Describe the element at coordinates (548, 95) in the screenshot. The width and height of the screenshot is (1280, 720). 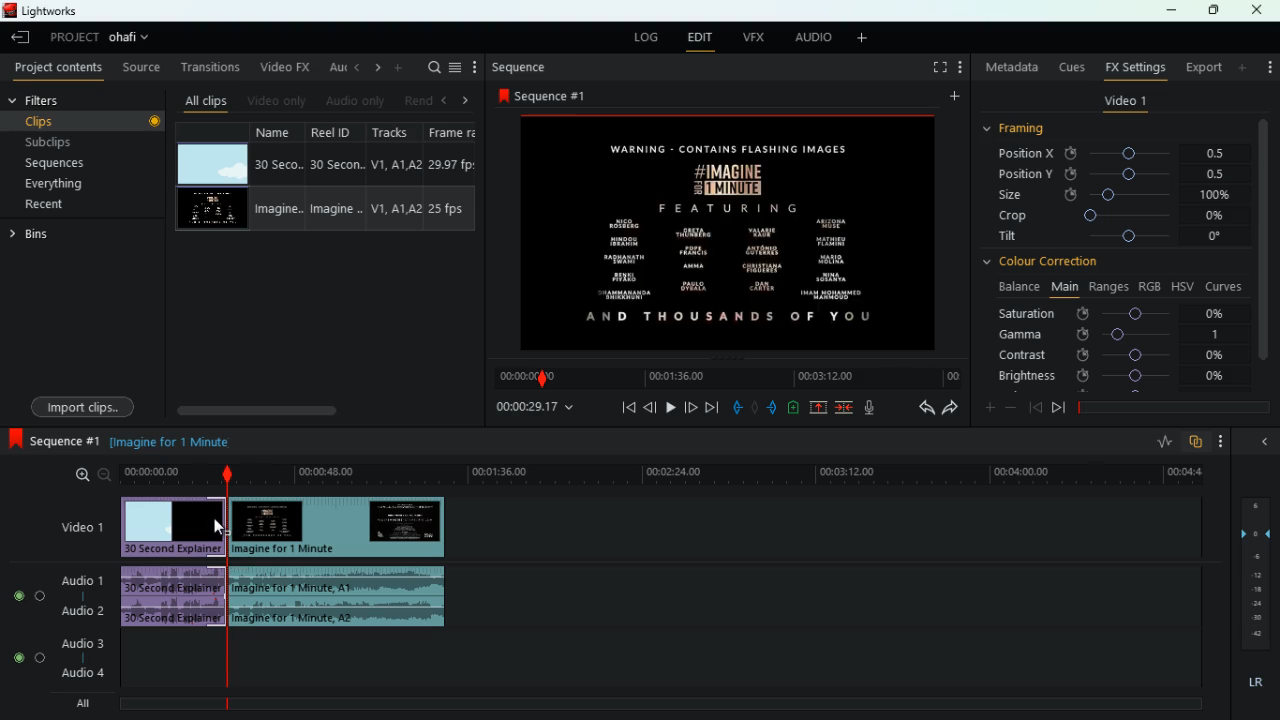
I see `sequence` at that location.